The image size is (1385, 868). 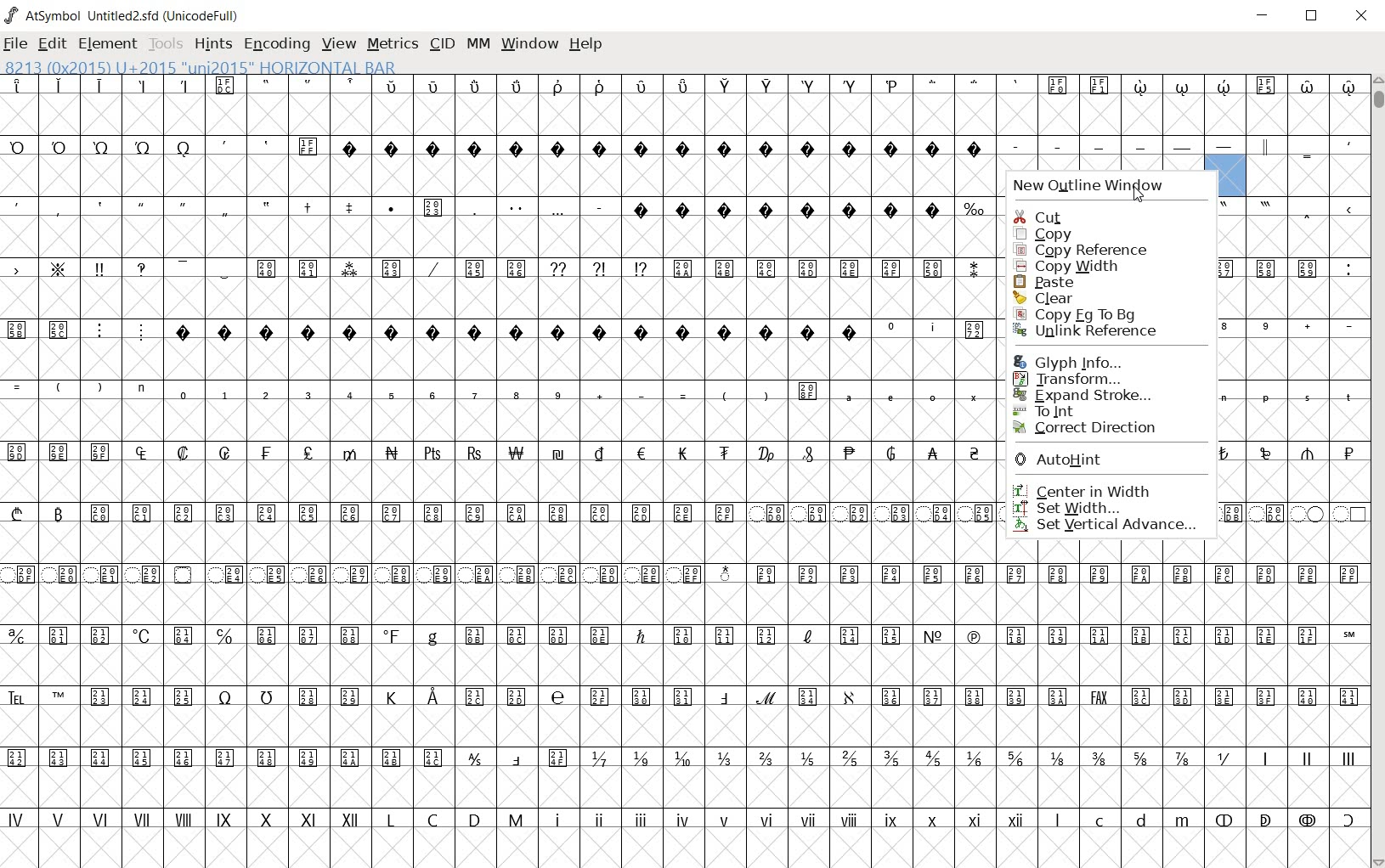 I want to click on Transform, so click(x=1079, y=379).